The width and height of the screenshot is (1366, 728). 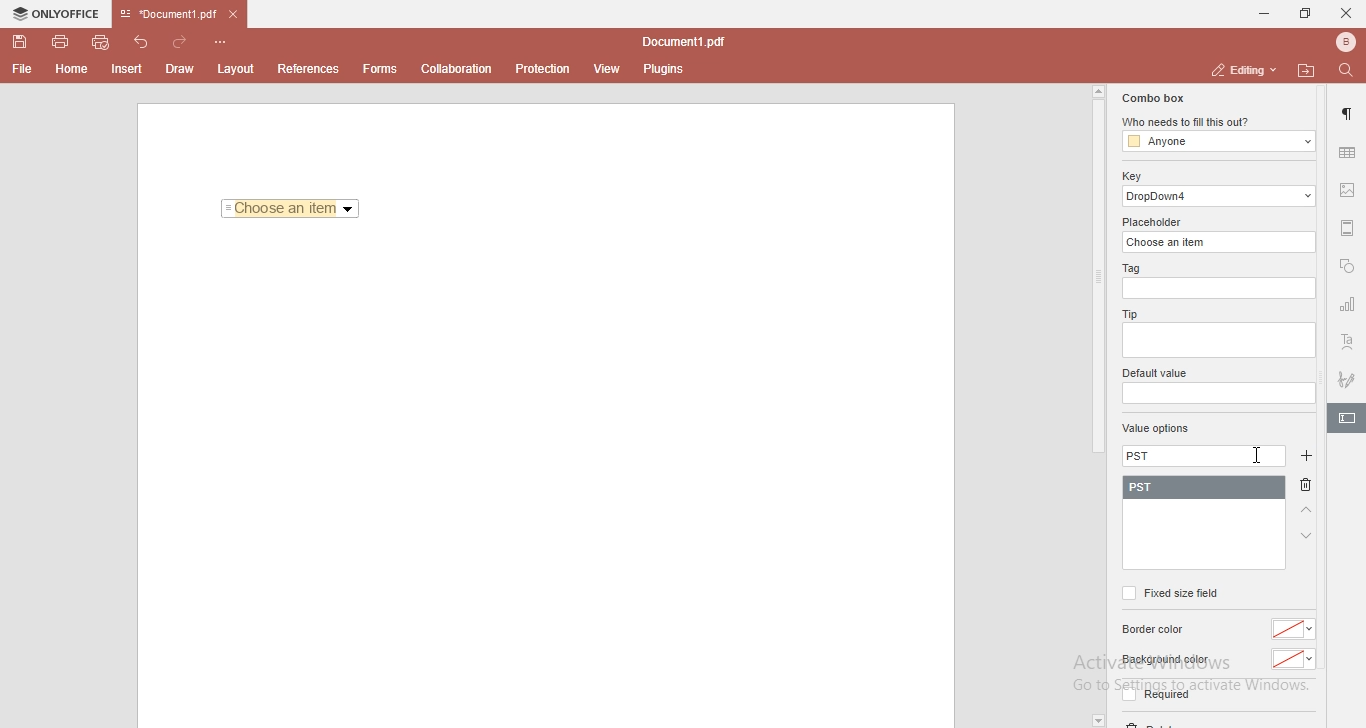 I want to click on Home, so click(x=73, y=72).